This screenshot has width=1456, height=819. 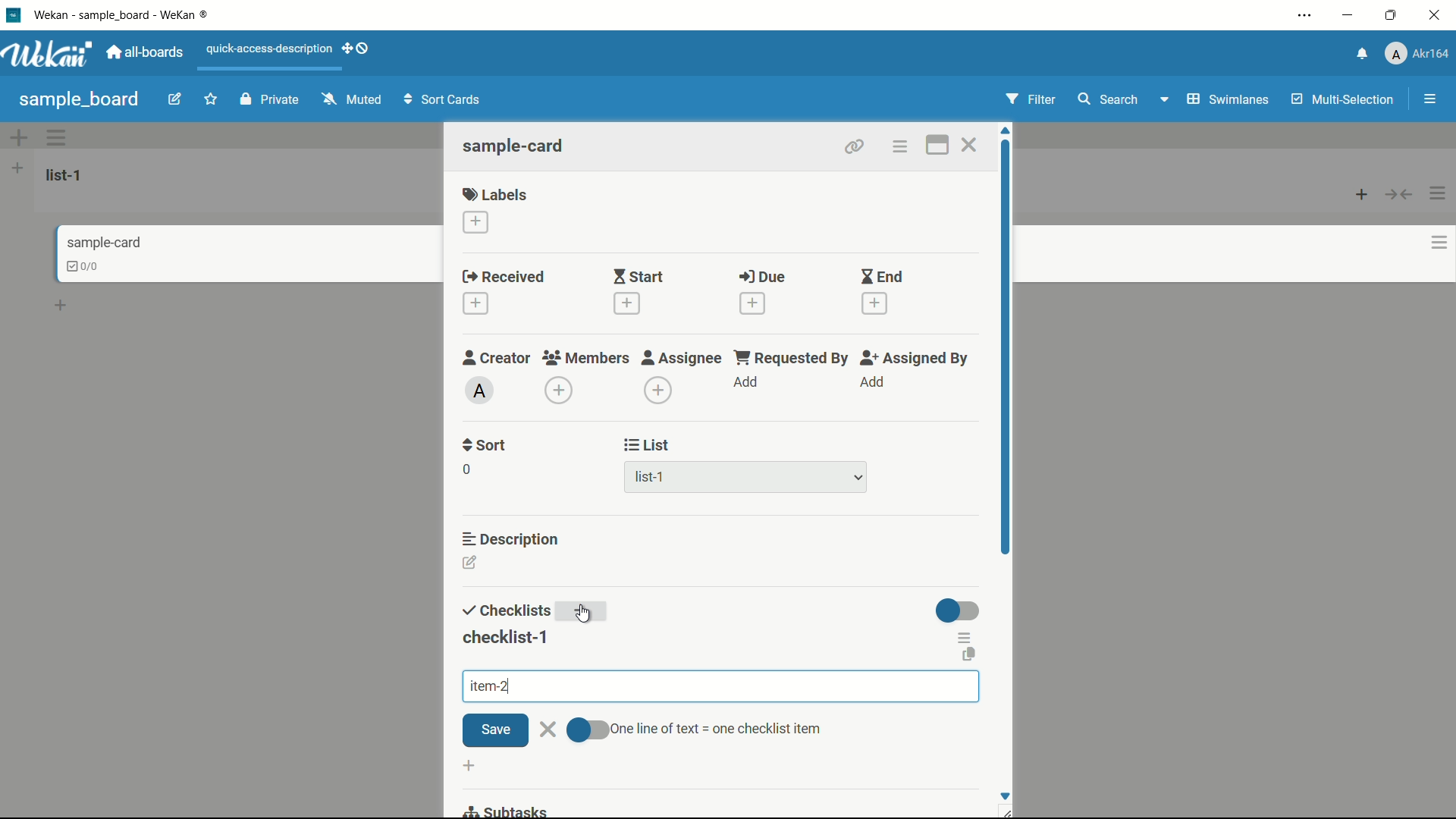 What do you see at coordinates (358, 47) in the screenshot?
I see `show-desktop-drag-handles` at bounding box center [358, 47].